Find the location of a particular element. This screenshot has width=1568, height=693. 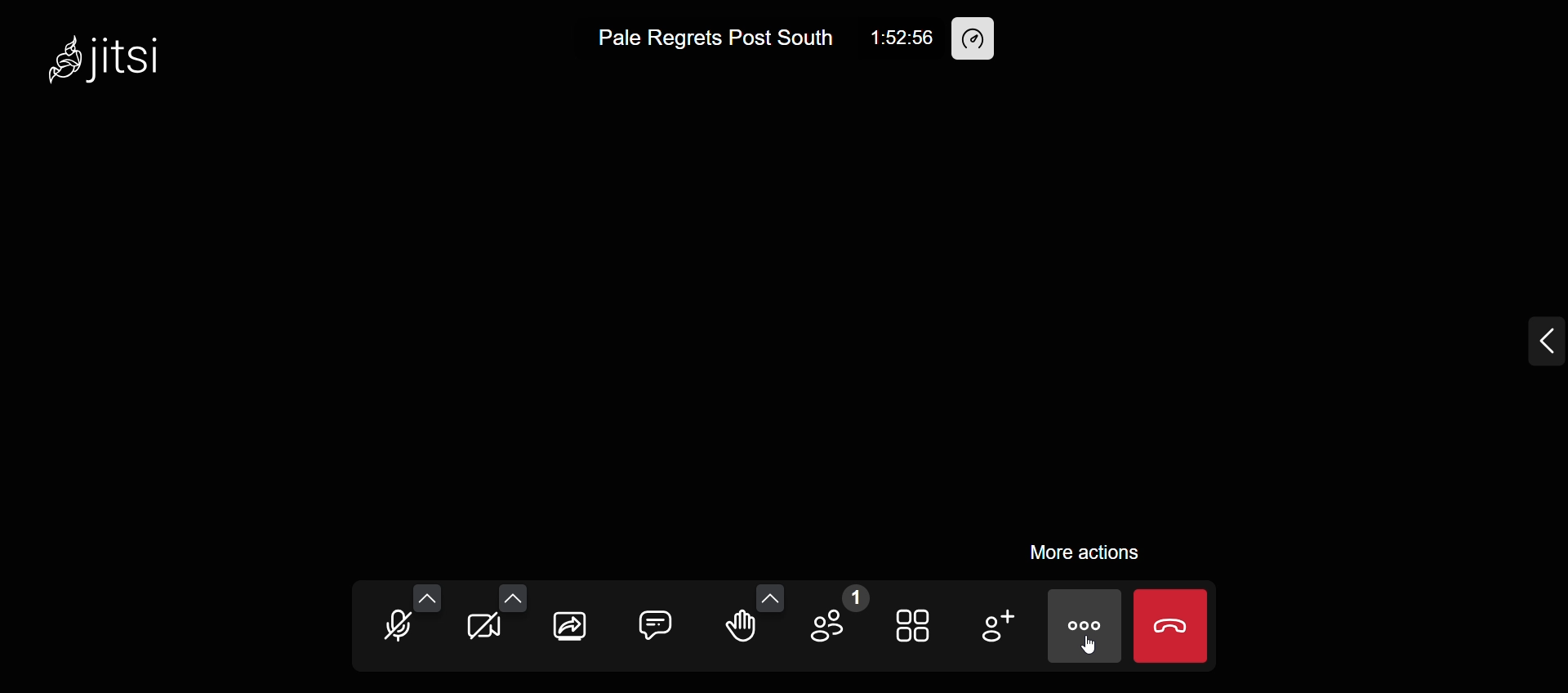

raise hand is located at coordinates (746, 633).